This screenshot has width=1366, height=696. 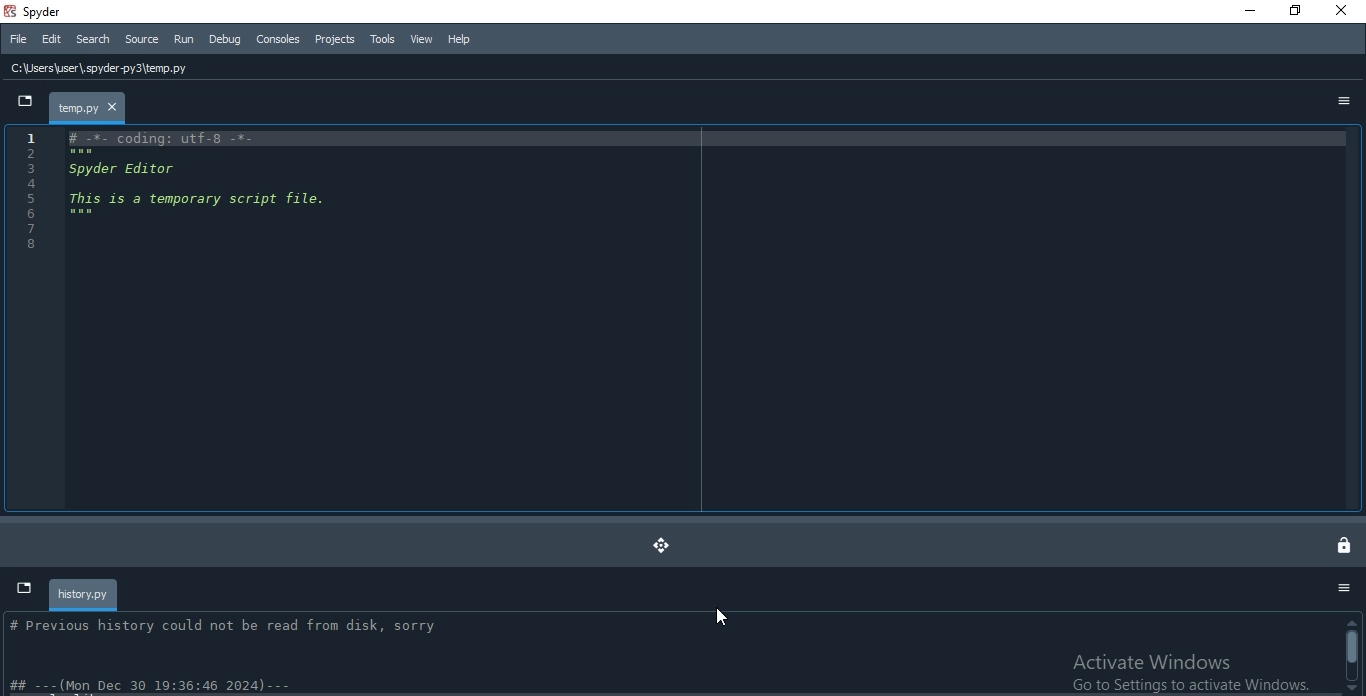 I want to click on spyder, so click(x=40, y=12).